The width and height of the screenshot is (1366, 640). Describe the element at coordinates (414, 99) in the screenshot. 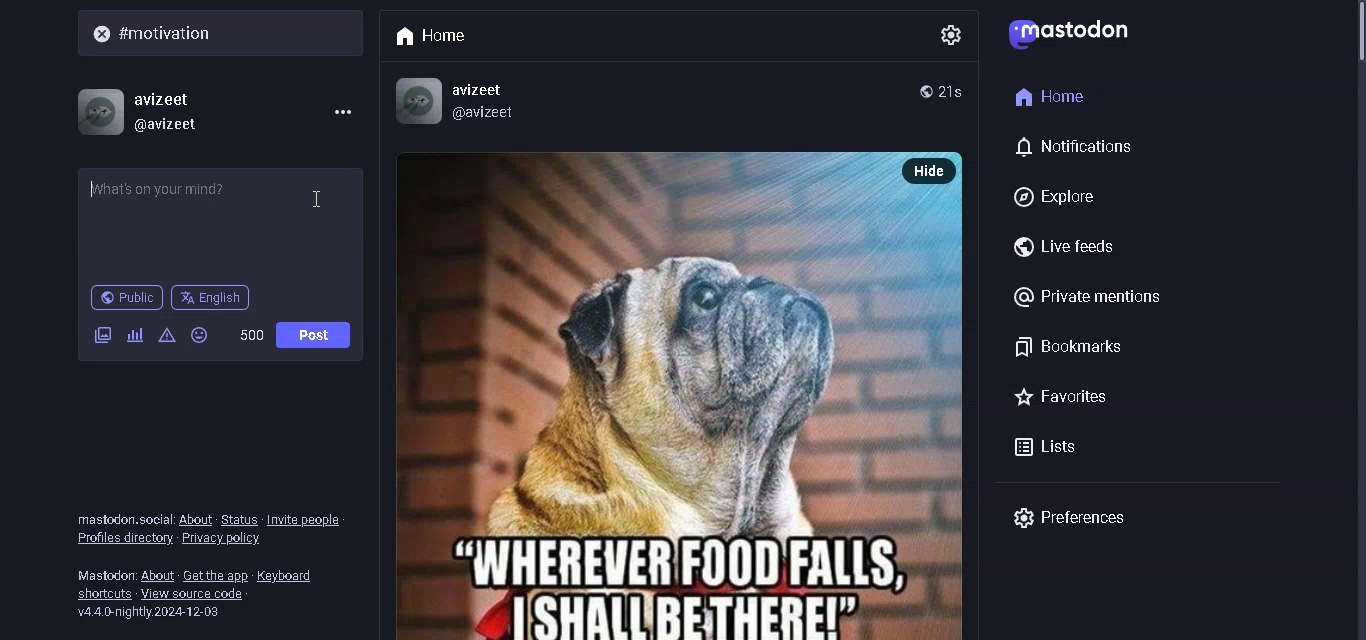

I see `profile picture` at that location.